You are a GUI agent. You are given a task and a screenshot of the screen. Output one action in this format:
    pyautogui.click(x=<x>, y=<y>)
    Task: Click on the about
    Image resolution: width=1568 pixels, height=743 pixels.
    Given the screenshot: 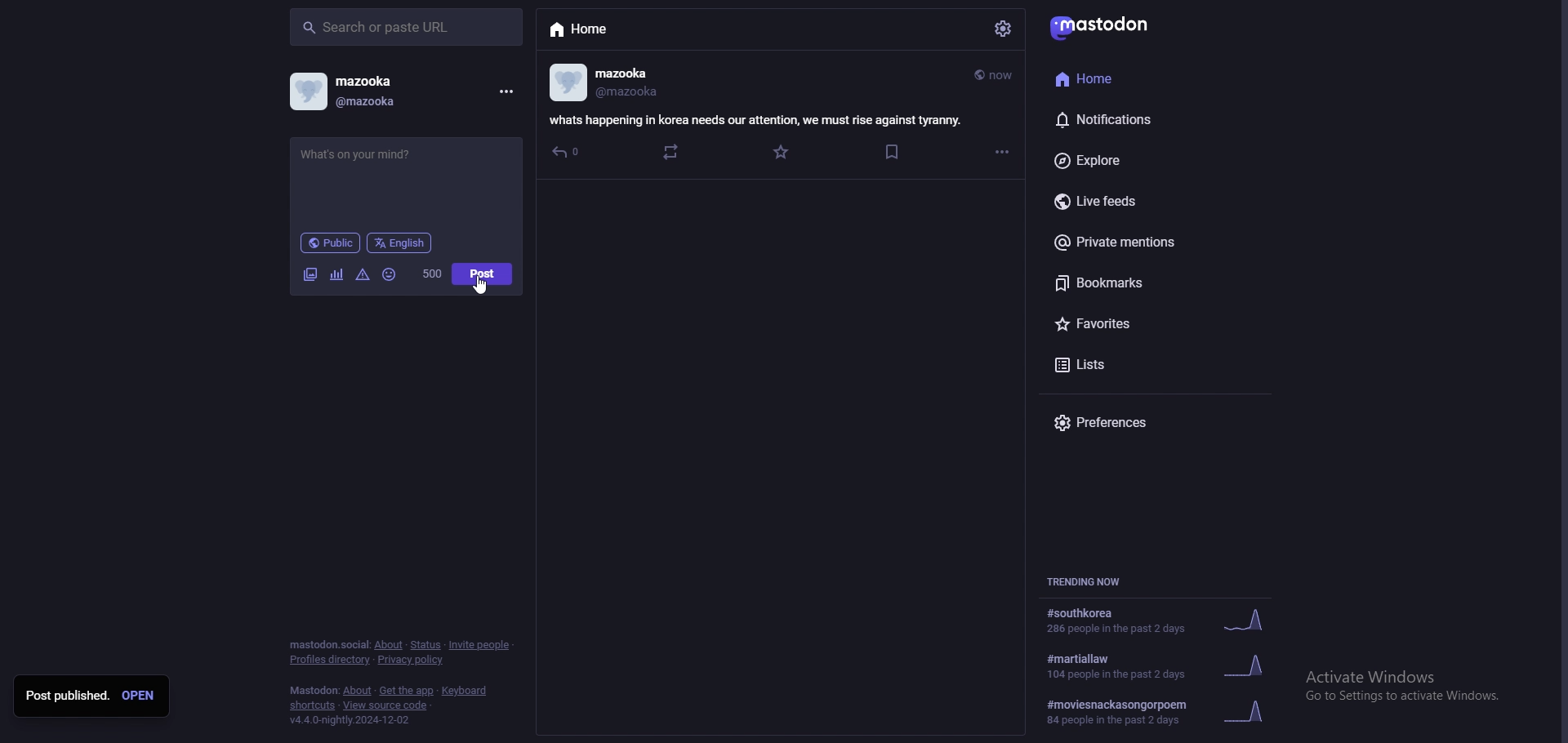 What is the action you would take?
    pyautogui.click(x=357, y=691)
    